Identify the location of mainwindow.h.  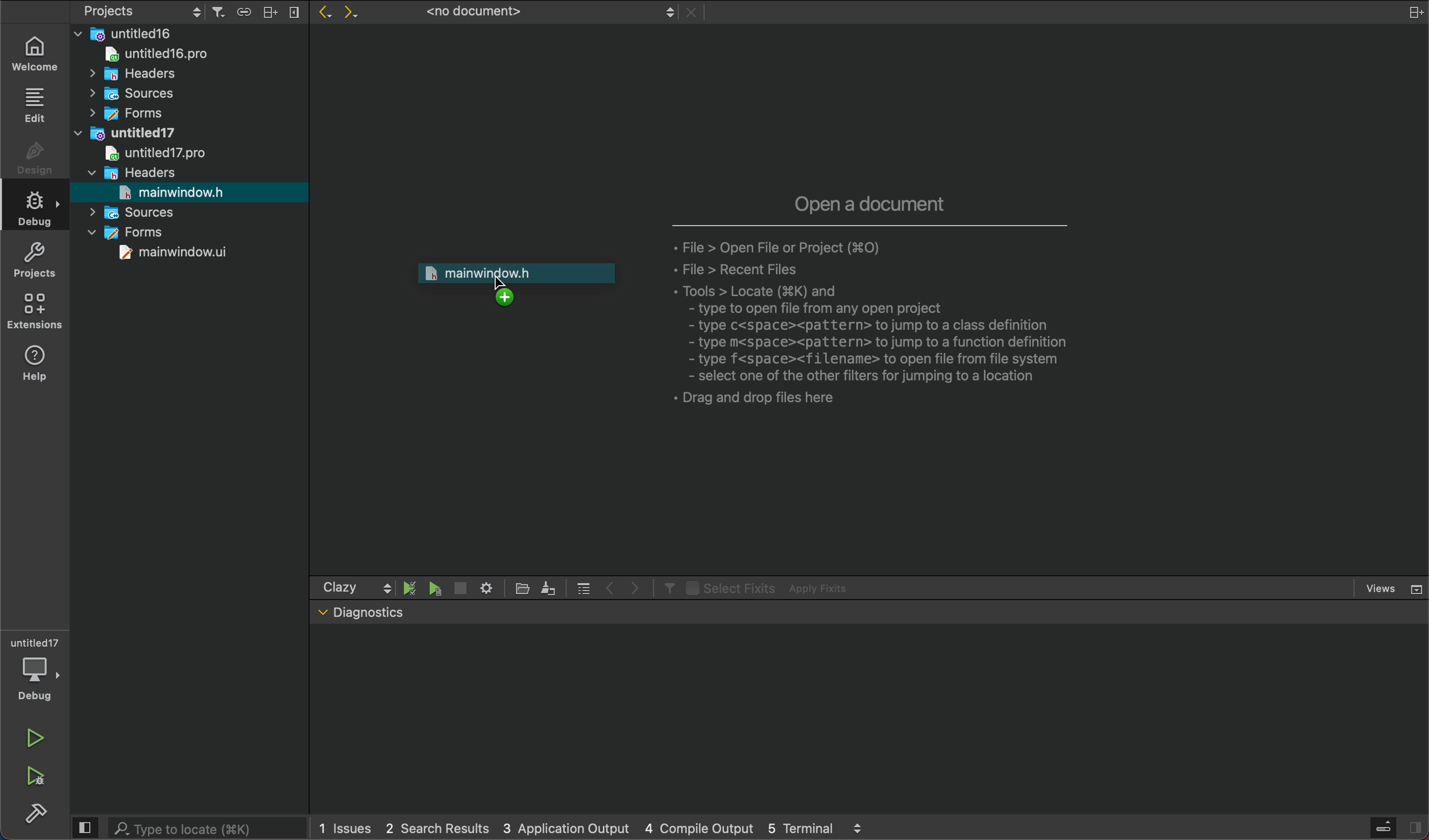
(172, 192).